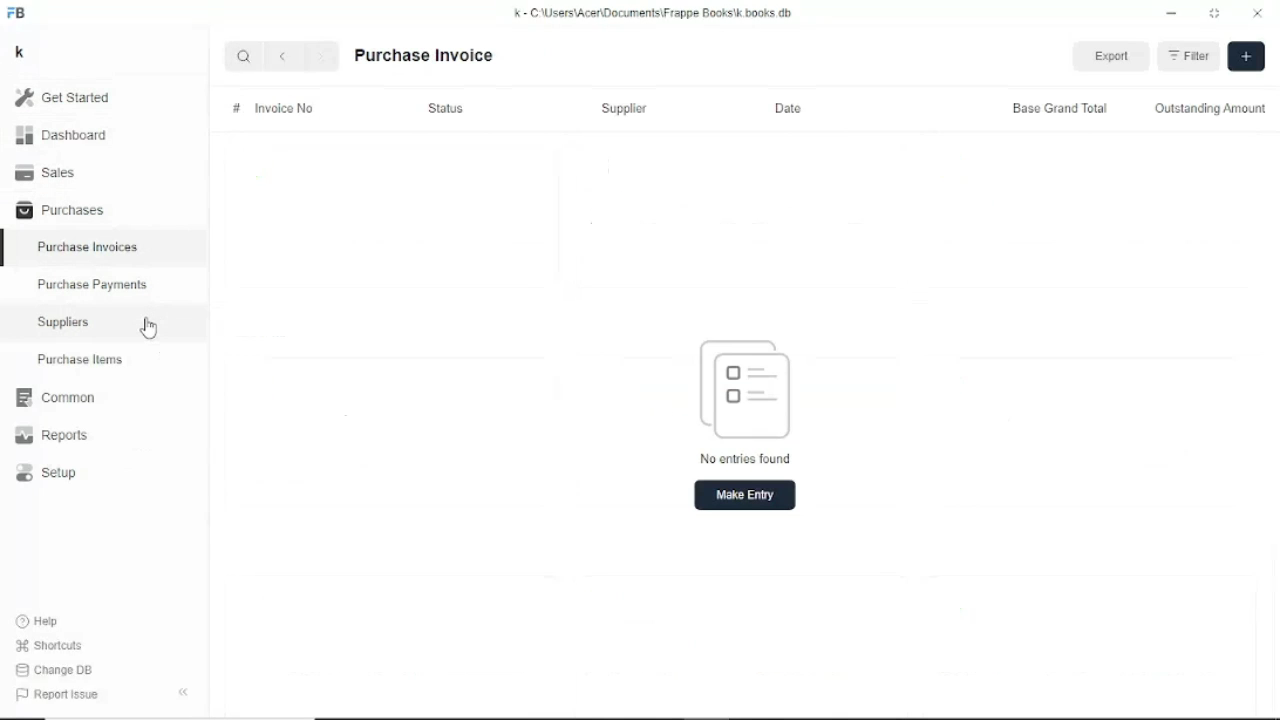 This screenshot has width=1280, height=720. Describe the element at coordinates (284, 108) in the screenshot. I see `Invoice No` at that location.